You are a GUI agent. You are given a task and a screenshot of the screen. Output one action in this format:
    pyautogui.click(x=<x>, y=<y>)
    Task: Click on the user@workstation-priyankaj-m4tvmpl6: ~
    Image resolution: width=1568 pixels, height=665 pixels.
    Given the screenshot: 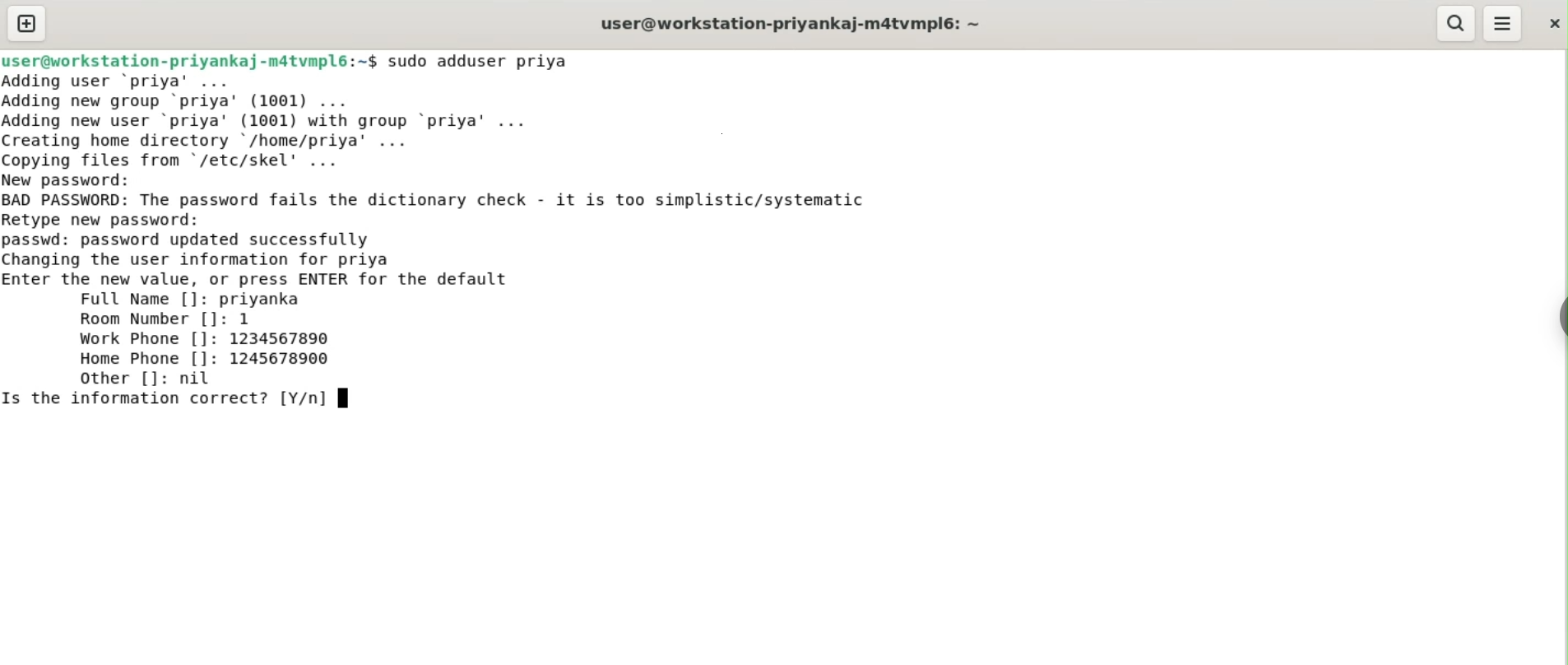 What is the action you would take?
    pyautogui.click(x=791, y=26)
    